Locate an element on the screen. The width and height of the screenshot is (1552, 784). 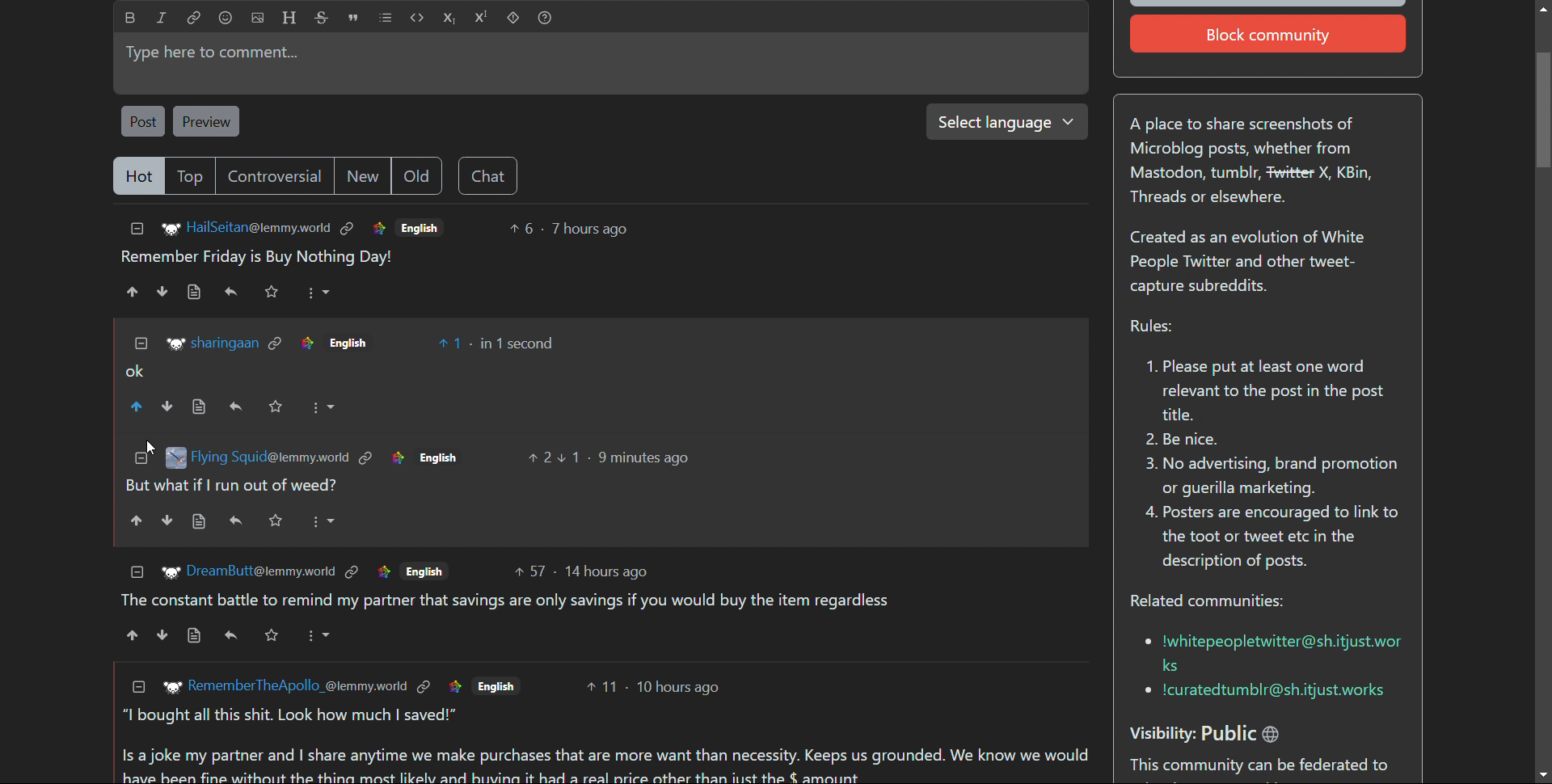
top is located at coordinates (192, 176).